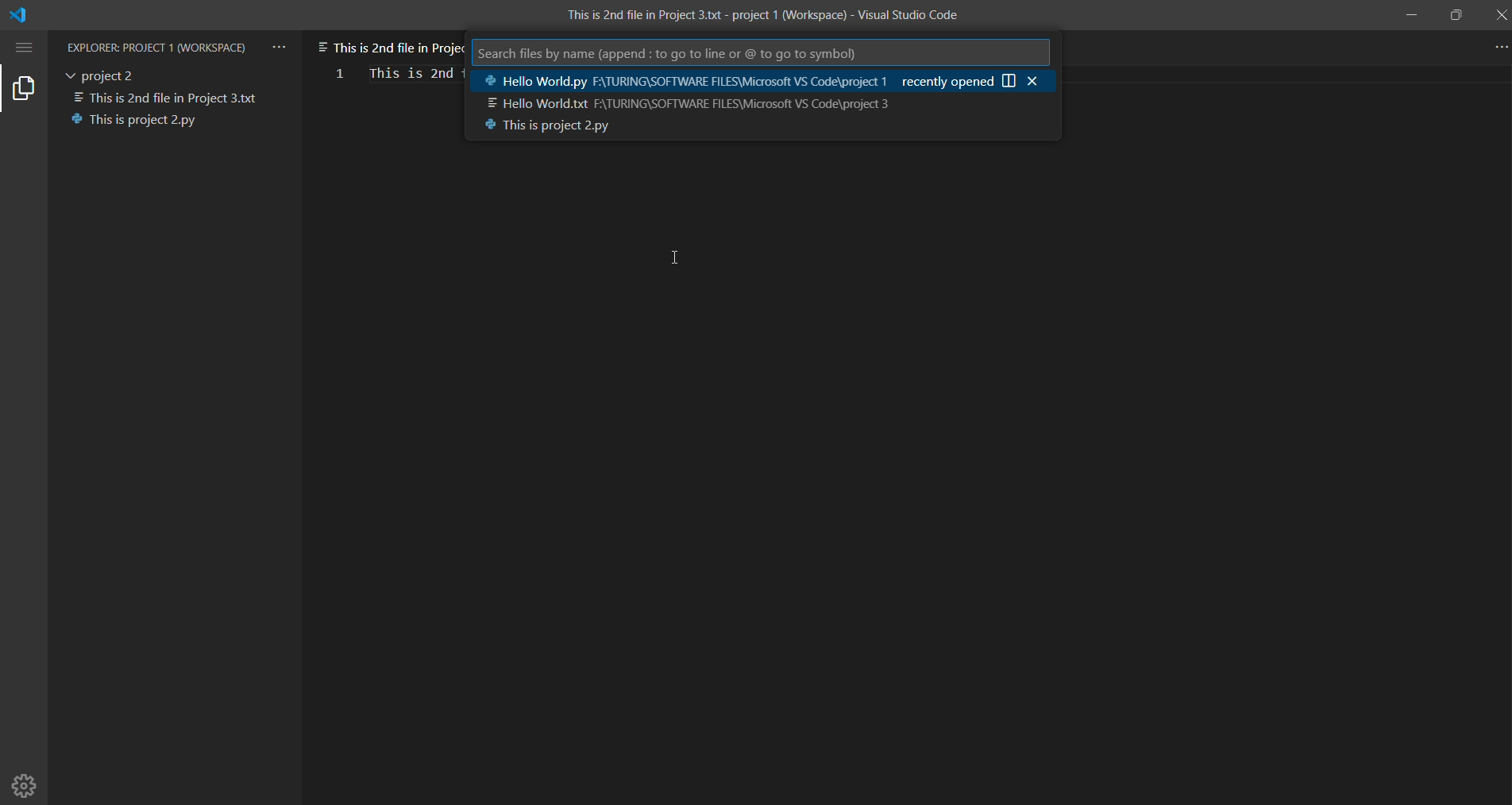 The height and width of the screenshot is (805, 1512). Describe the element at coordinates (685, 104) in the screenshot. I see `Hello World.txt FATURING\SOFTWARE FILES\Microsoft VS Code\project 3` at that location.